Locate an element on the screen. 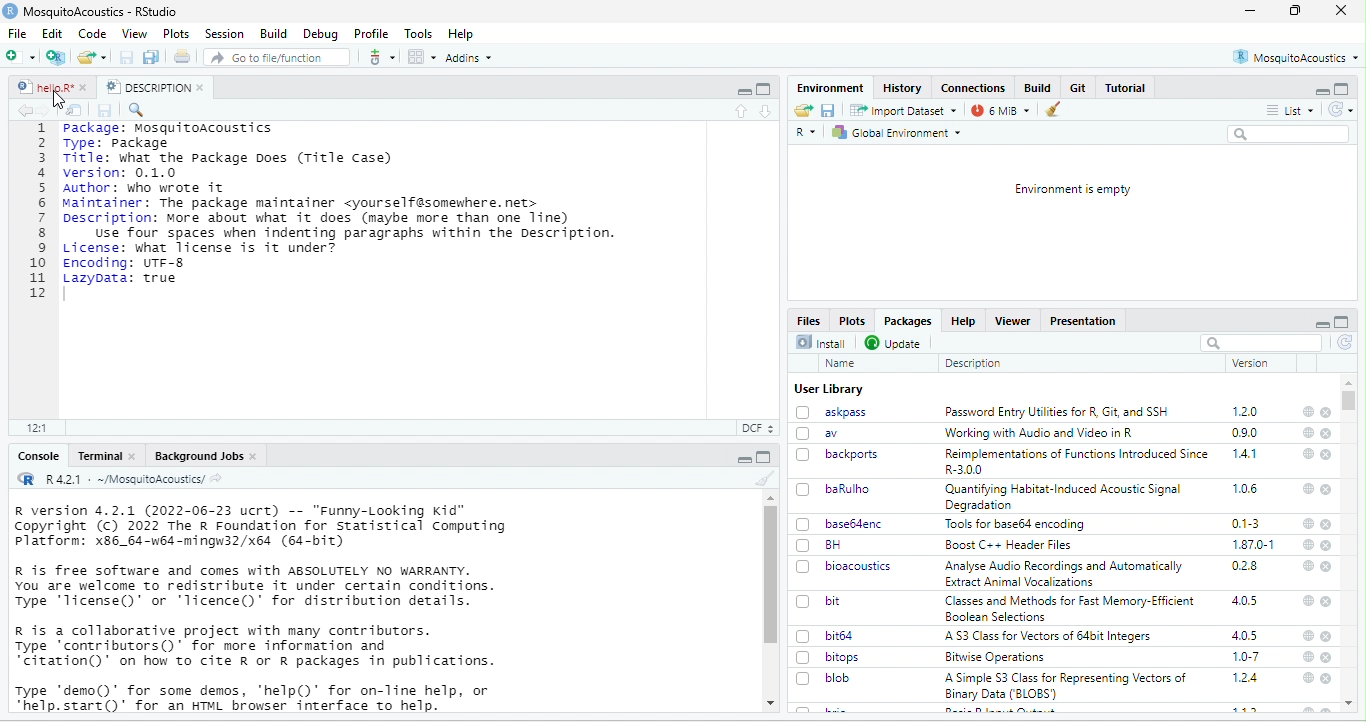 The height and width of the screenshot is (722, 1366). Import Dataset is located at coordinates (903, 110).